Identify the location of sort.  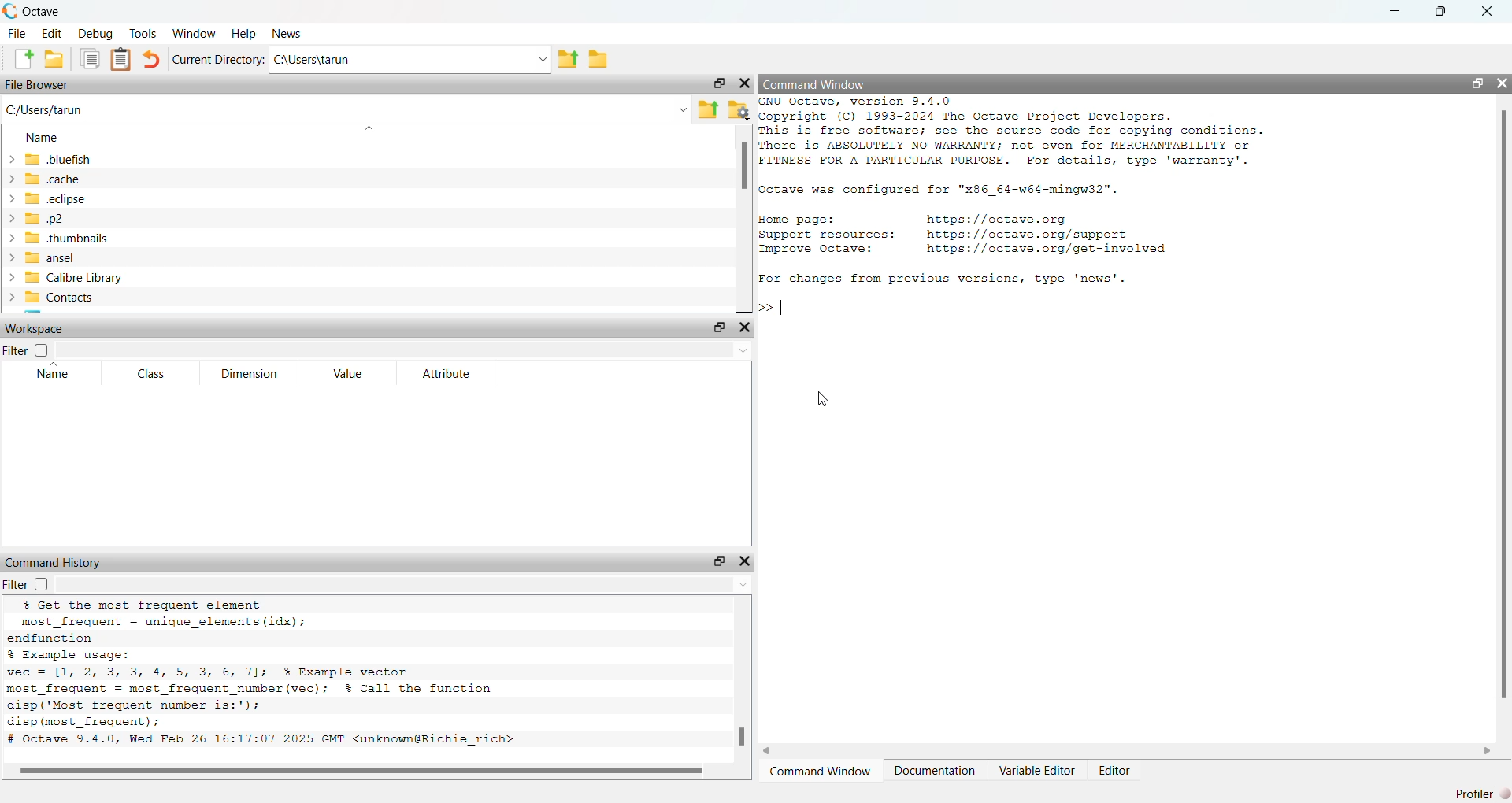
(369, 128).